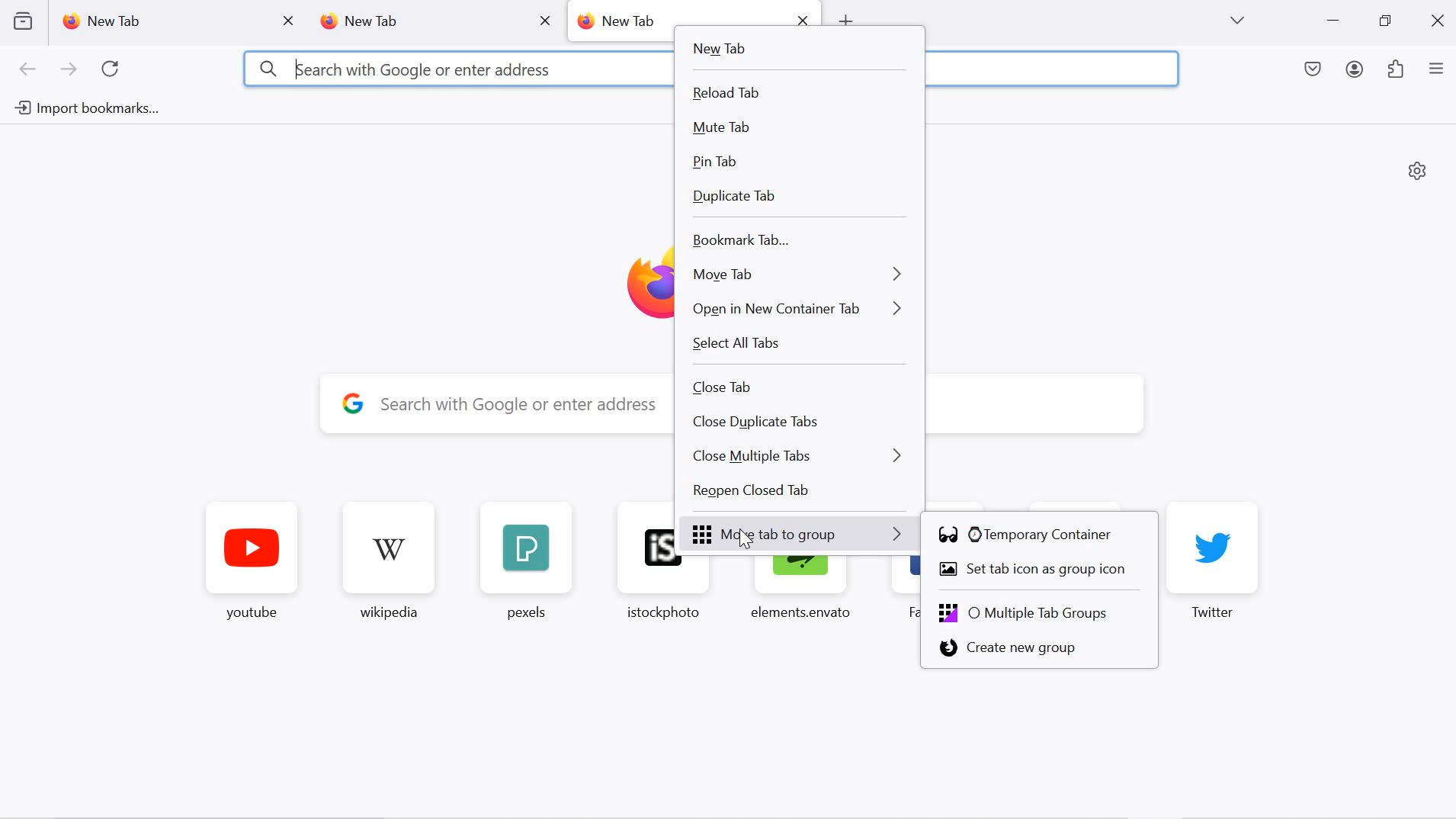  What do you see at coordinates (1384, 21) in the screenshot?
I see `restore down` at bounding box center [1384, 21].